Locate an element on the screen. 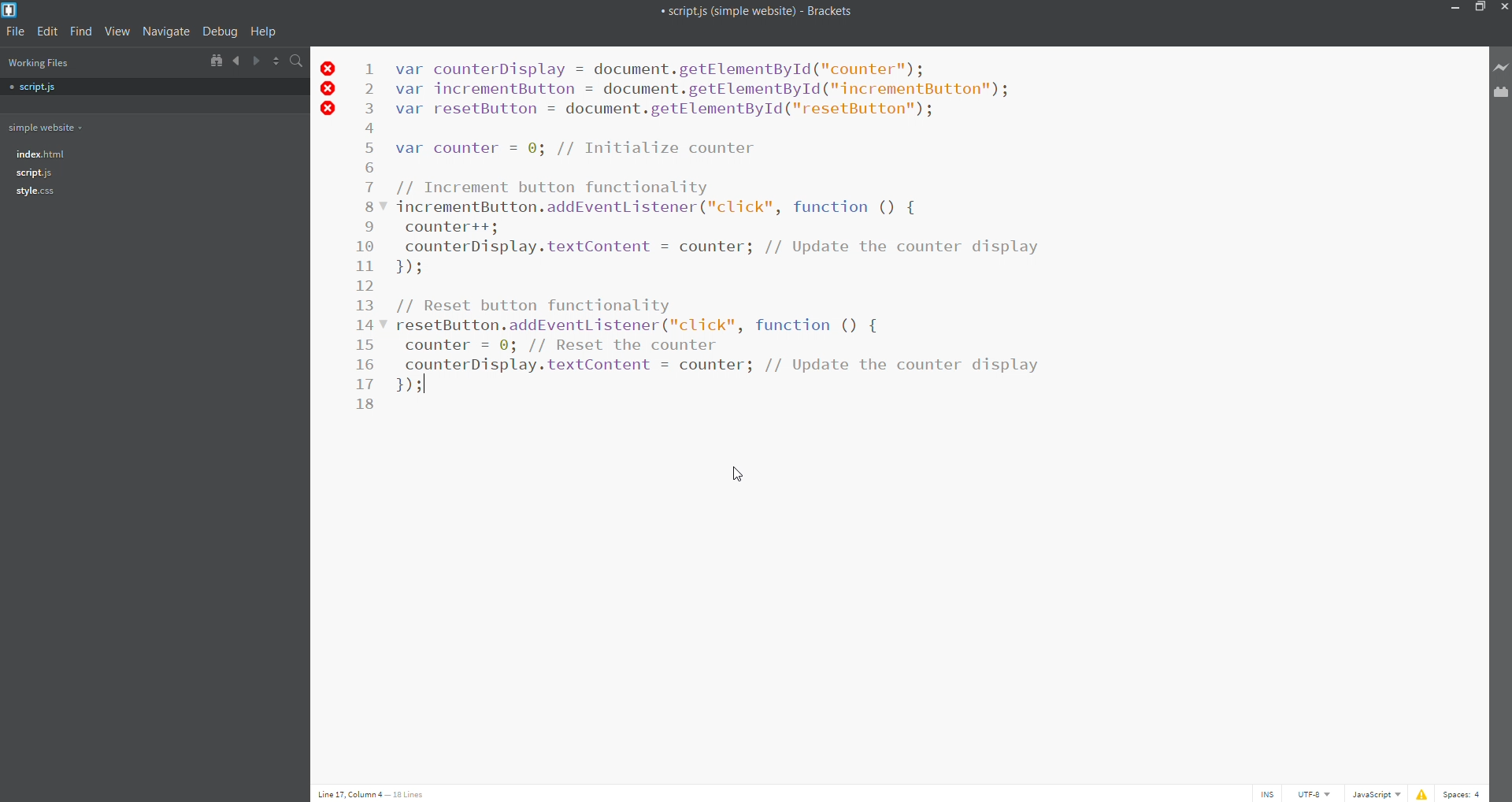 This screenshot has width=1512, height=802. Increment and Reset button Functionality Code is located at coordinates (717, 225).